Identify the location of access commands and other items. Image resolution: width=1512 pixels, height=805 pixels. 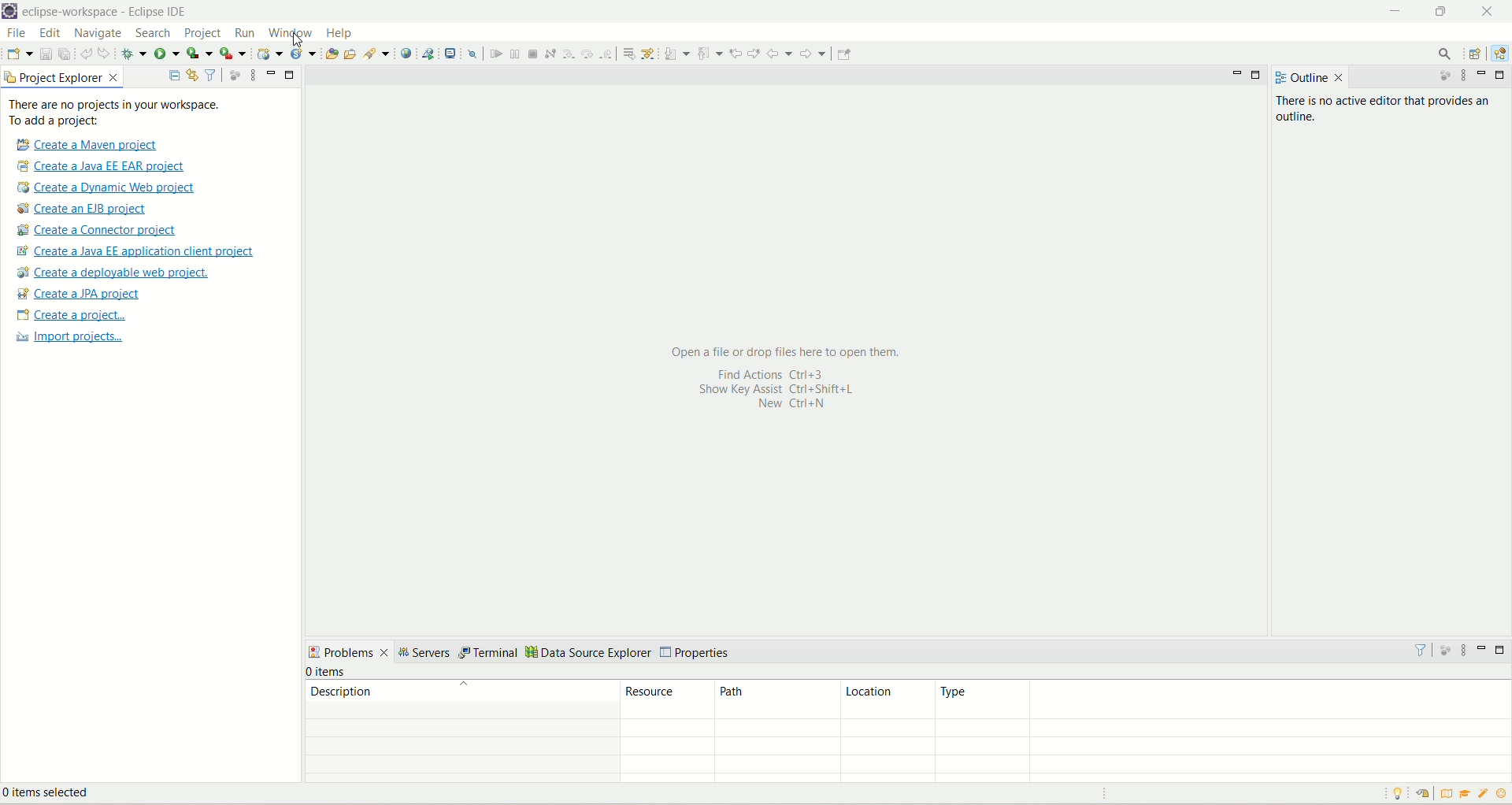
(1443, 54).